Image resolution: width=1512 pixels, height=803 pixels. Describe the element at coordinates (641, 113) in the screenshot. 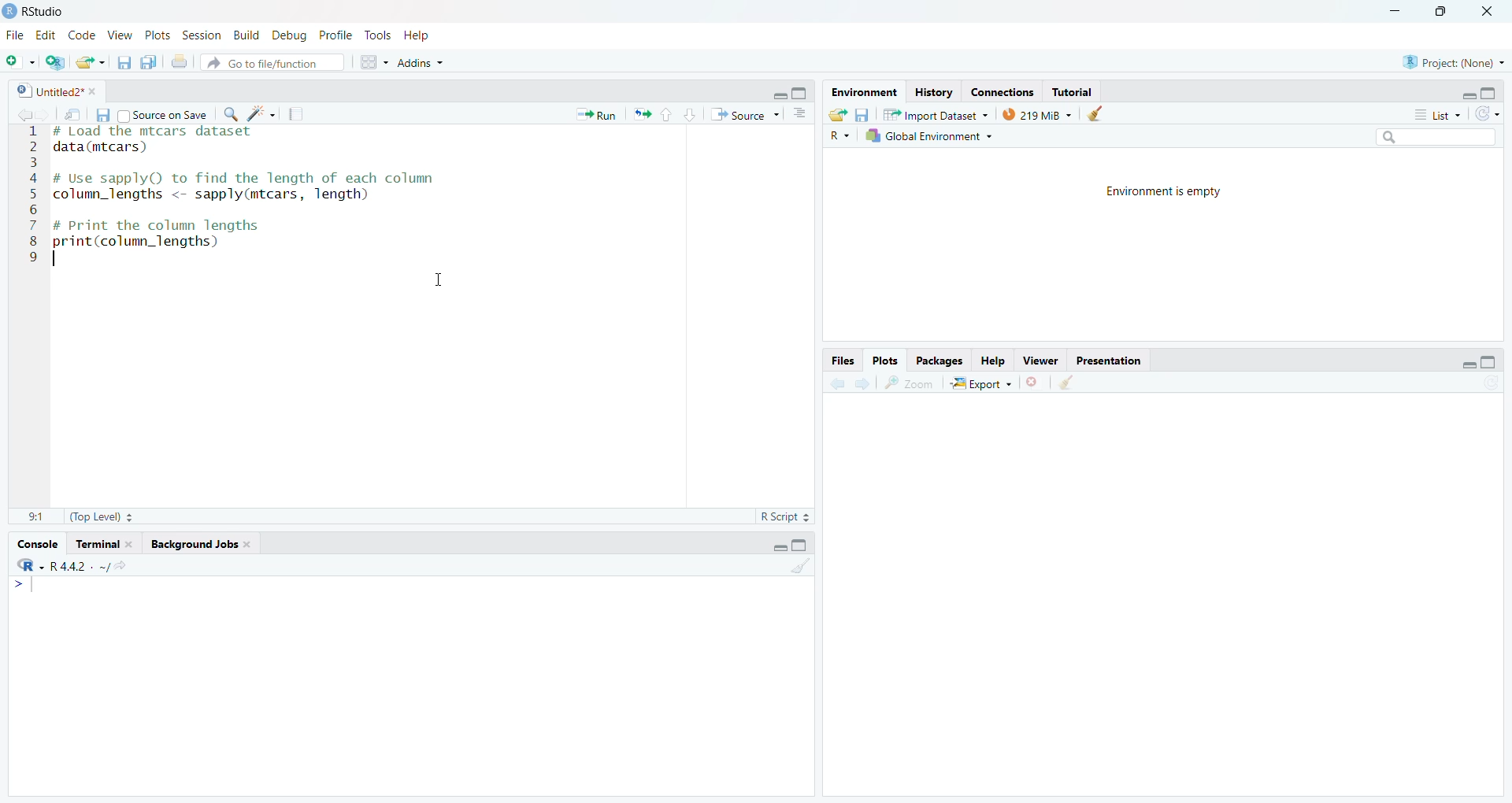

I see `Re run the previous code` at that location.